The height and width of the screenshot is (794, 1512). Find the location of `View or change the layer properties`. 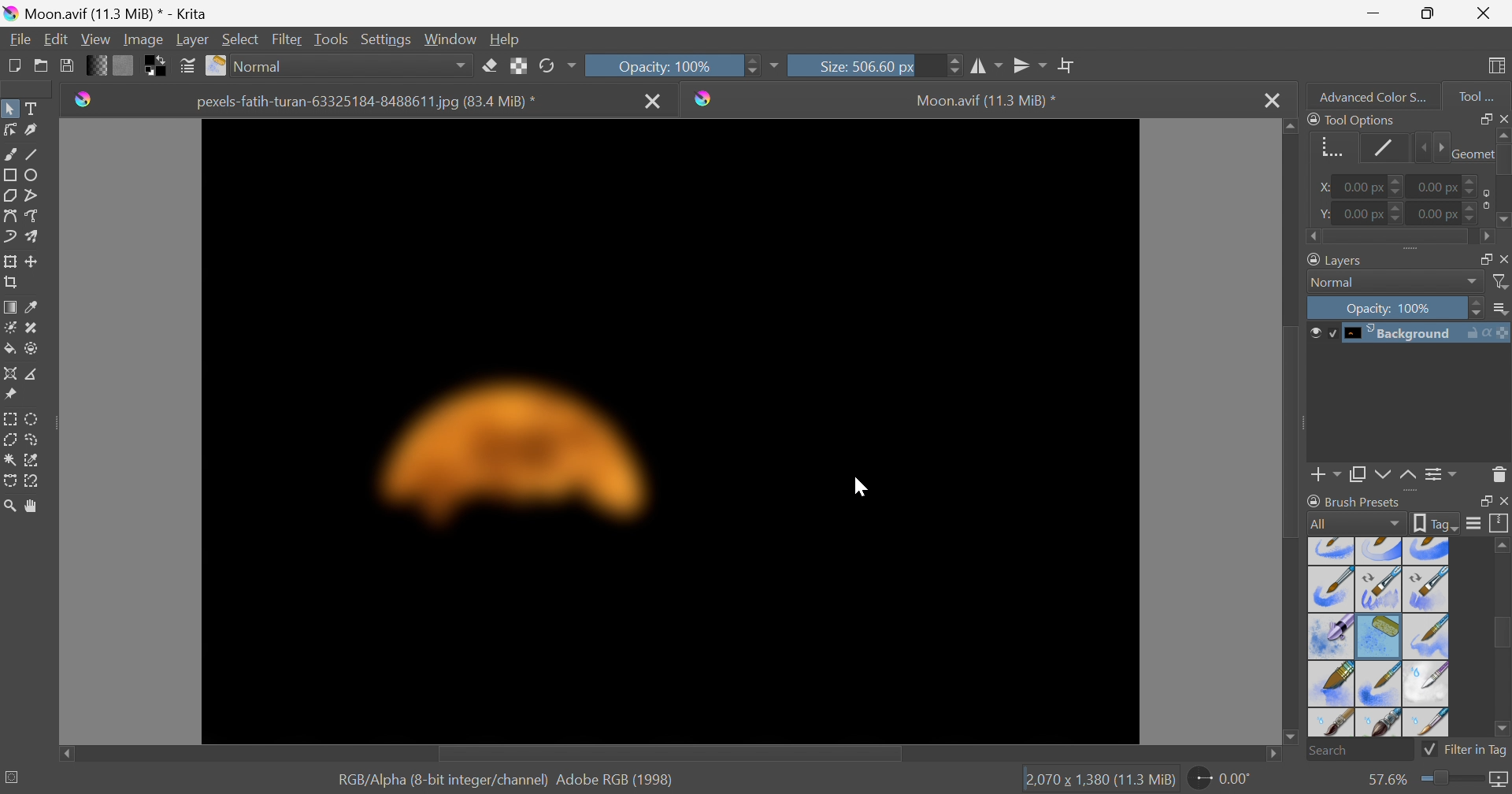

View or change the layer properties is located at coordinates (1442, 477).